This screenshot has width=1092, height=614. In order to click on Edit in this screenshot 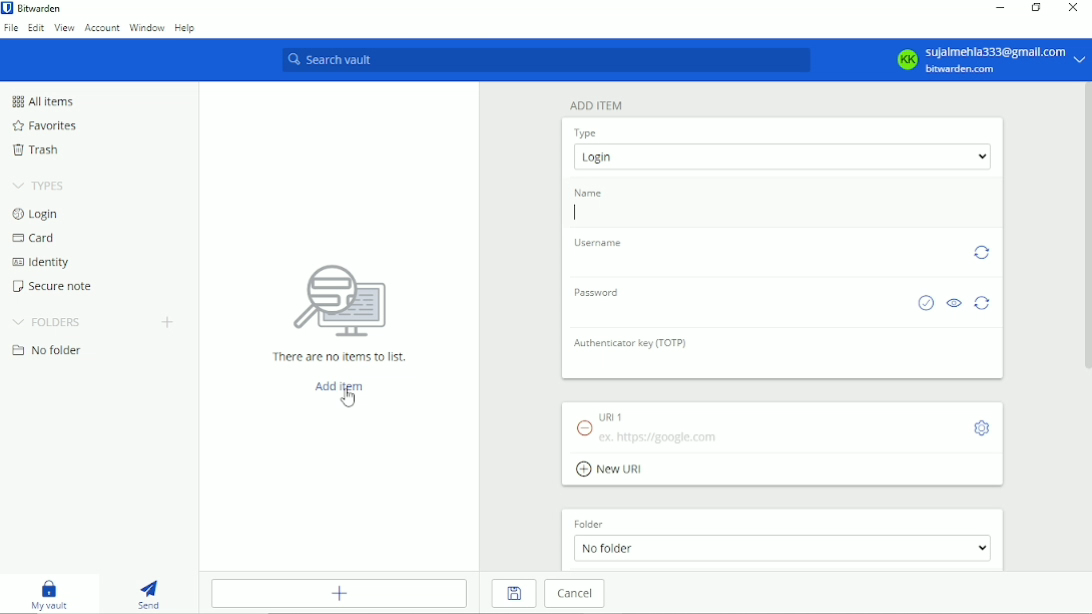, I will do `click(35, 30)`.